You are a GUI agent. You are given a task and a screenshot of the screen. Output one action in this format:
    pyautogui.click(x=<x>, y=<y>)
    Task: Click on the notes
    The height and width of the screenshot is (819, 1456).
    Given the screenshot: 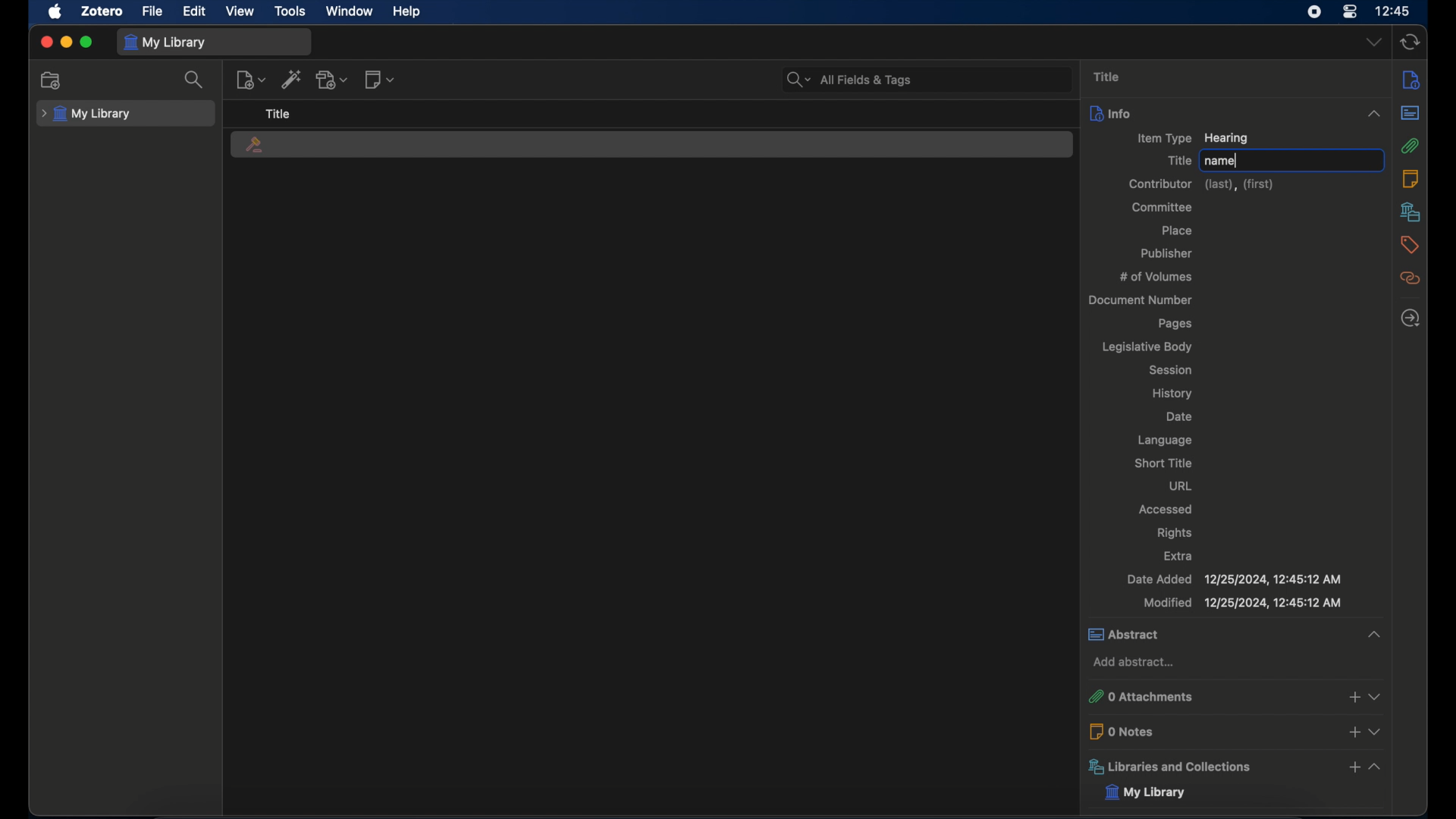 What is the action you would take?
    pyautogui.click(x=1410, y=179)
    